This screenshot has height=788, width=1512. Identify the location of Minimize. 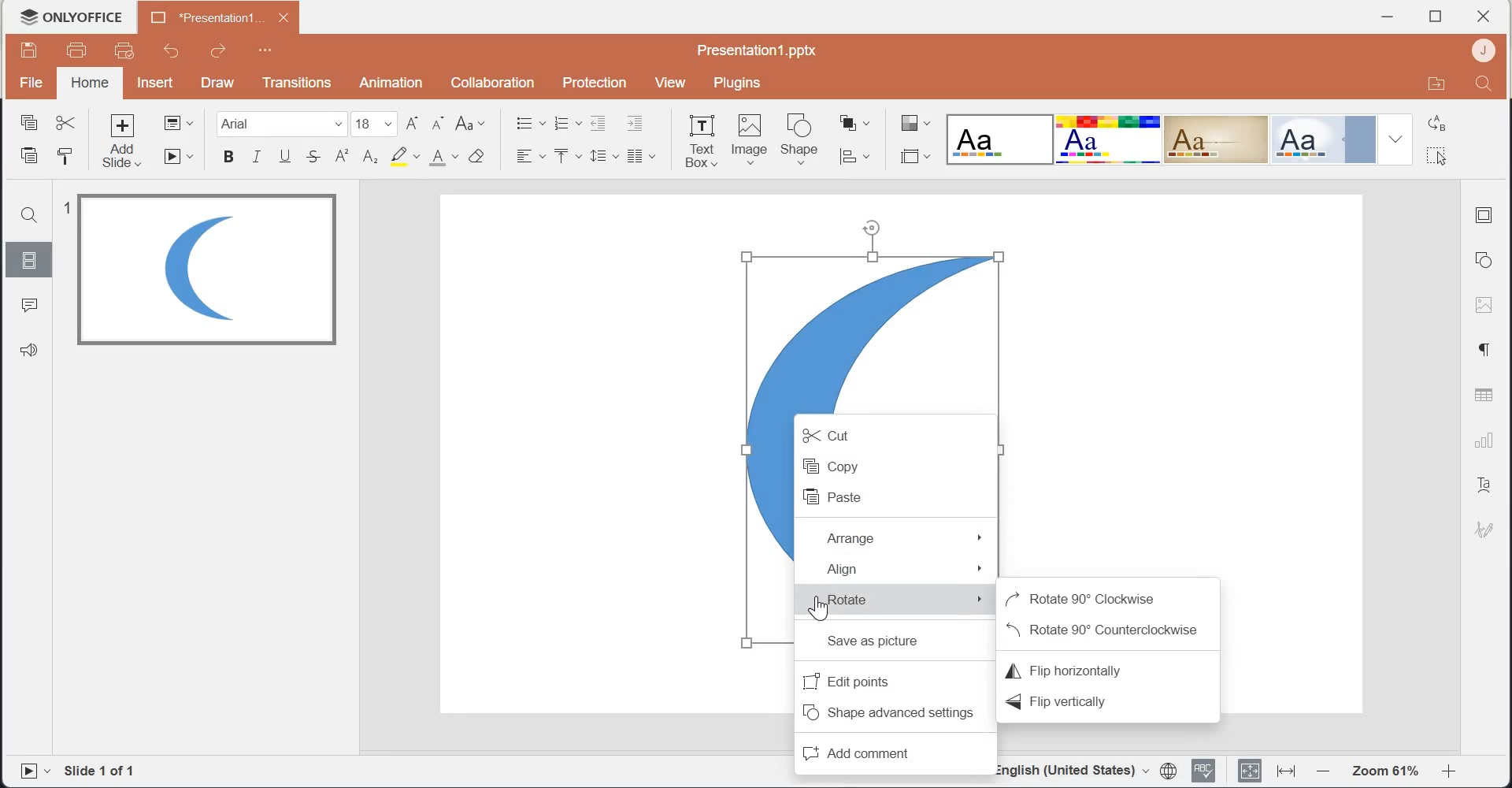
(1388, 17).